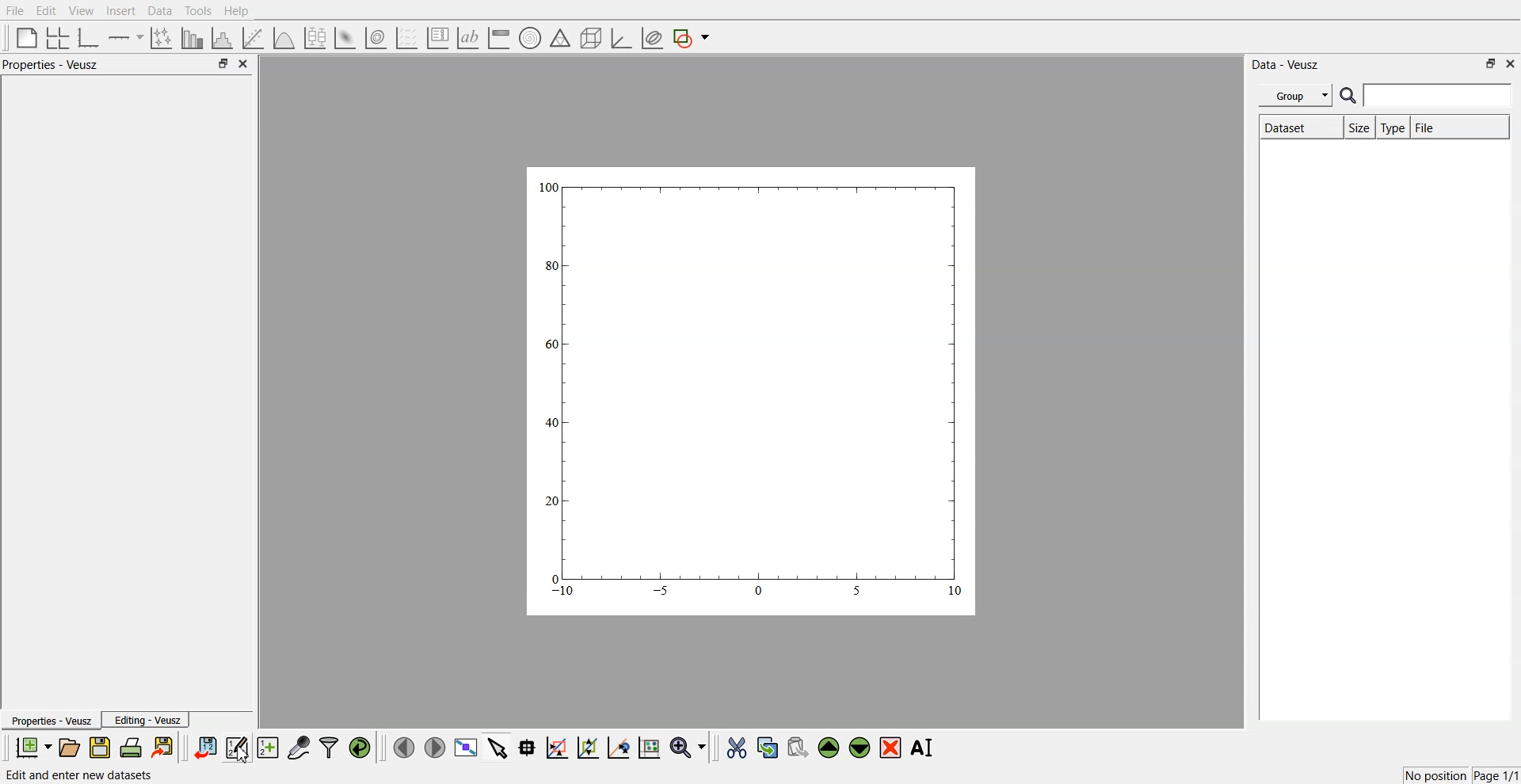 This screenshot has height=784, width=1521. I want to click on export, so click(164, 747).